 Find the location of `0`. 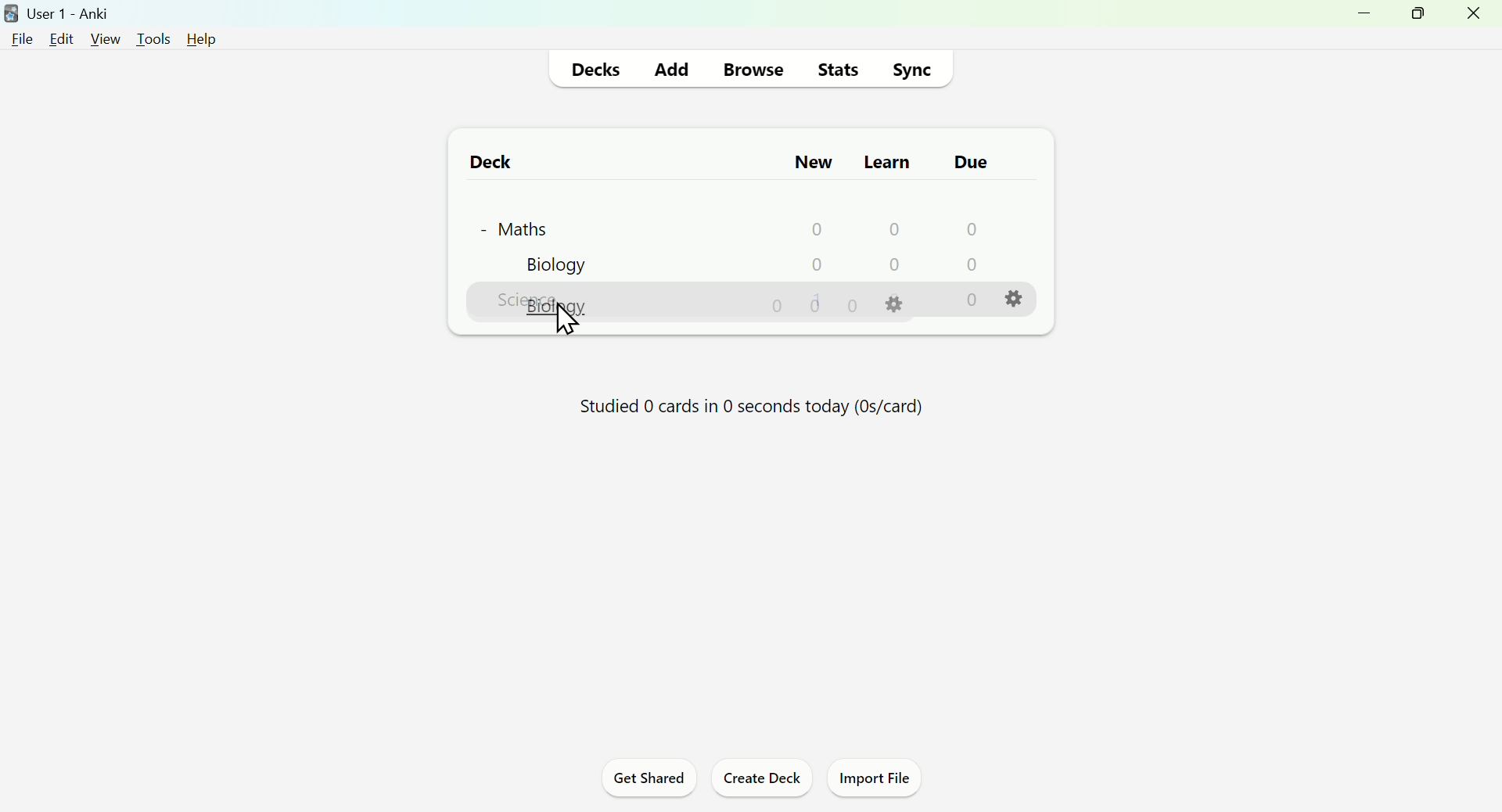

0 is located at coordinates (853, 305).